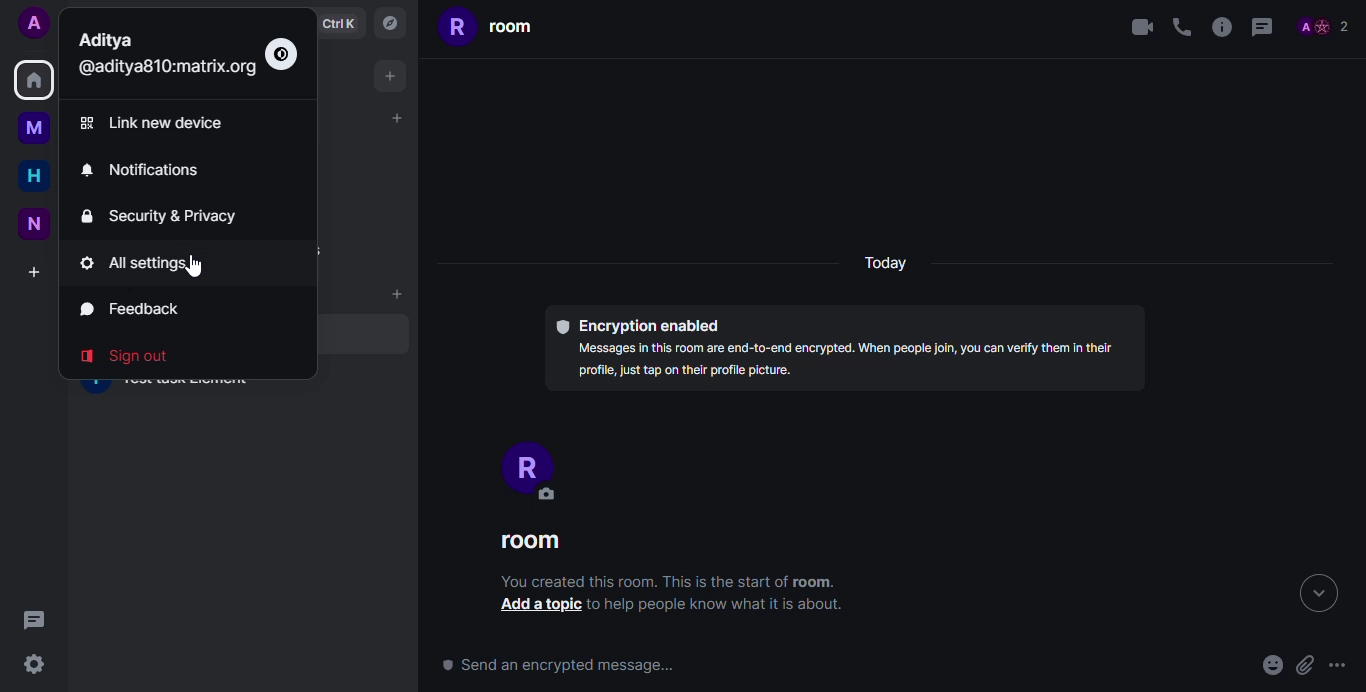  Describe the element at coordinates (38, 223) in the screenshot. I see `new` at that location.